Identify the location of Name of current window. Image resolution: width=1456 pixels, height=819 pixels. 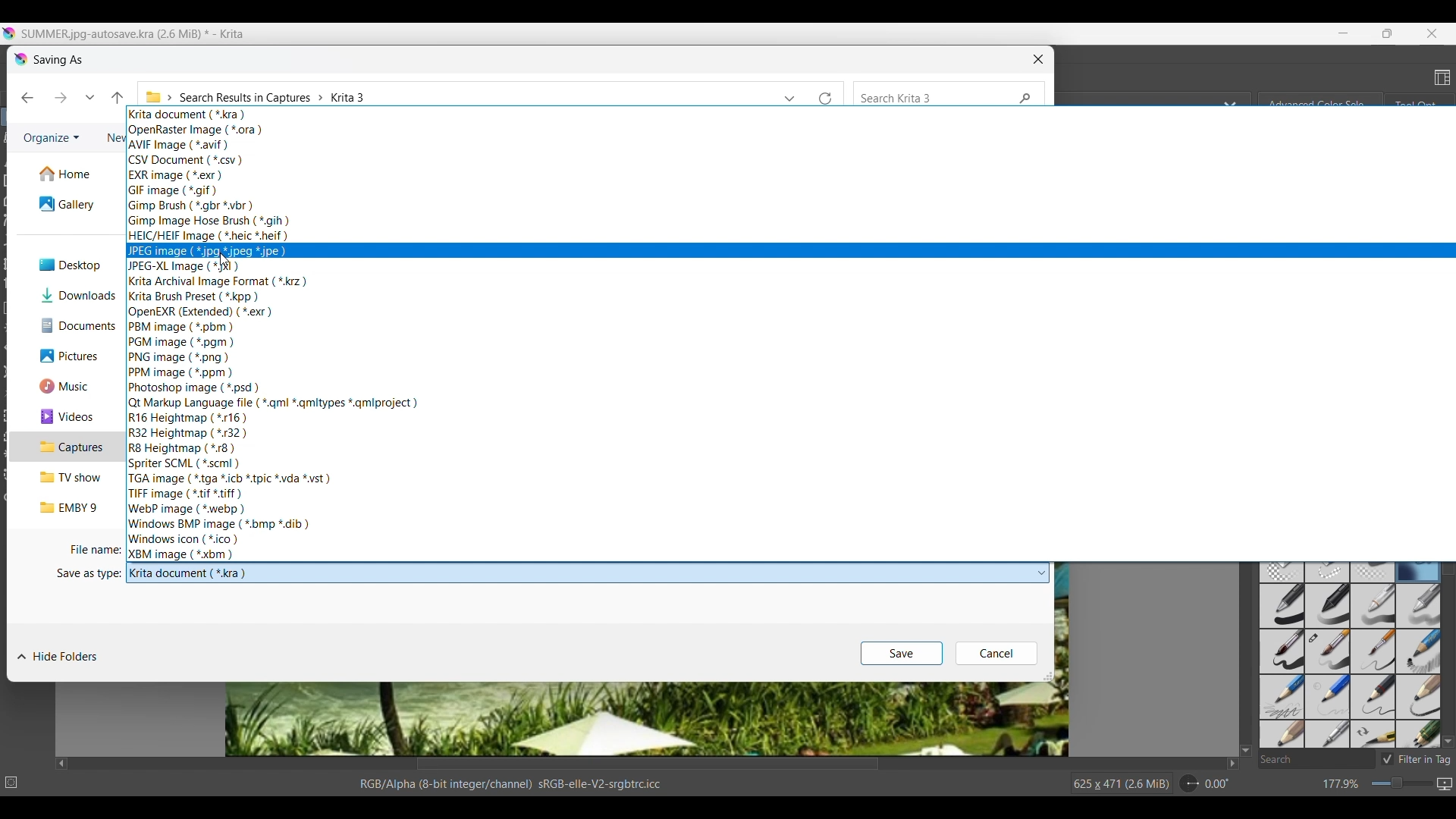
(58, 61).